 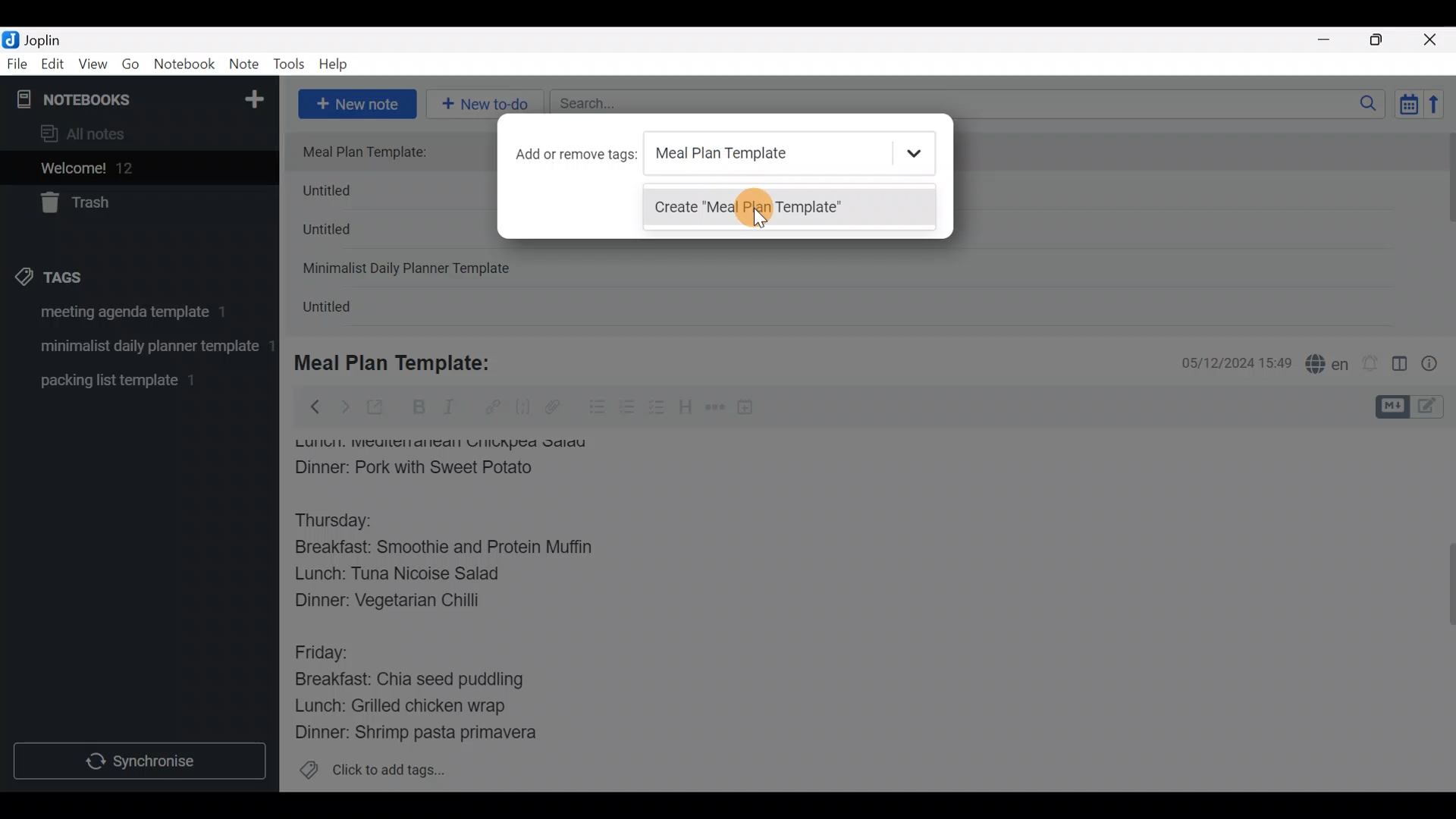 I want to click on Notebook, so click(x=185, y=64).